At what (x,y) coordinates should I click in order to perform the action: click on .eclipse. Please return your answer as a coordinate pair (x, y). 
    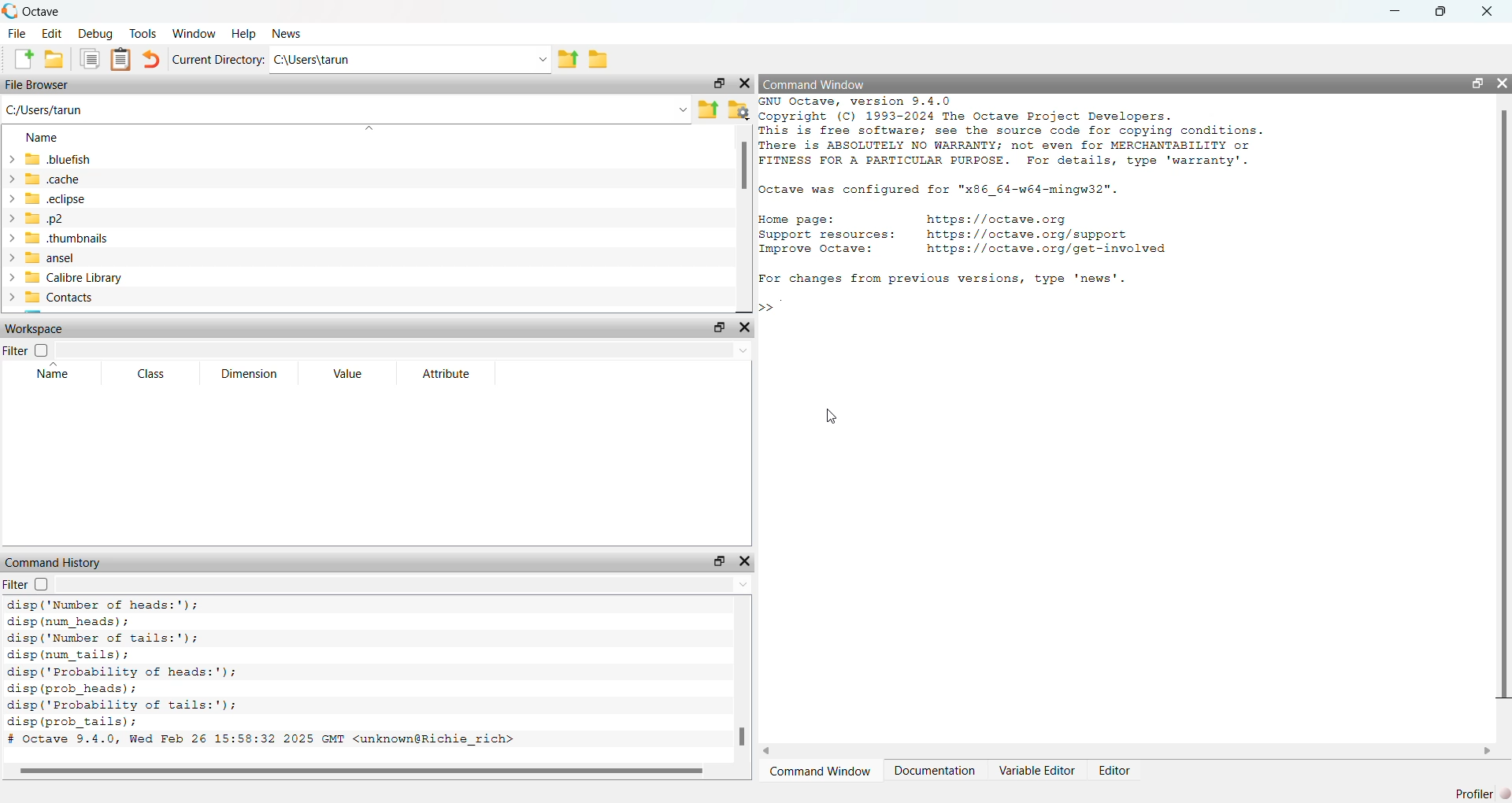
    Looking at the image, I should click on (55, 198).